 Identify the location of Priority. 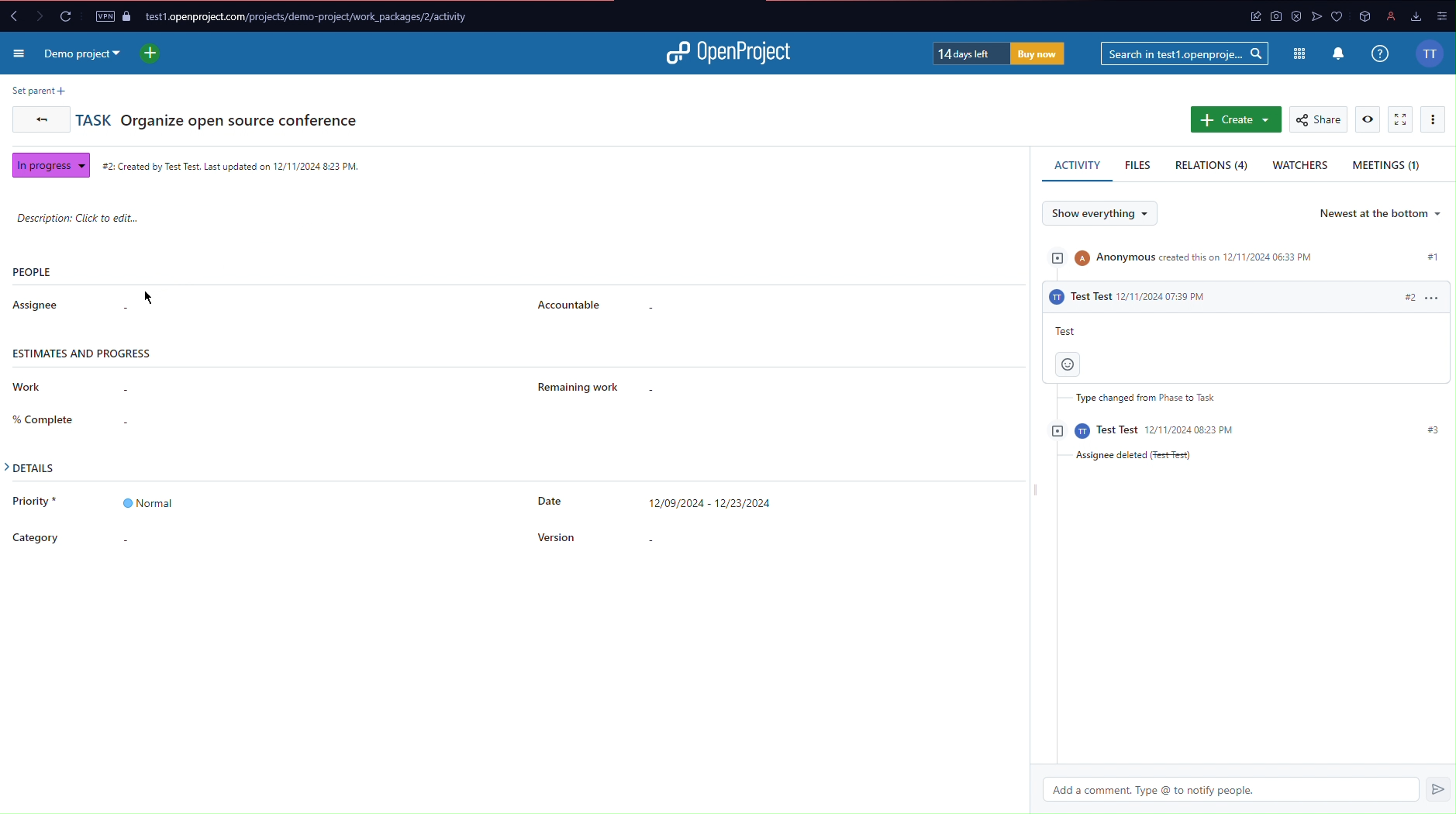
(91, 504).